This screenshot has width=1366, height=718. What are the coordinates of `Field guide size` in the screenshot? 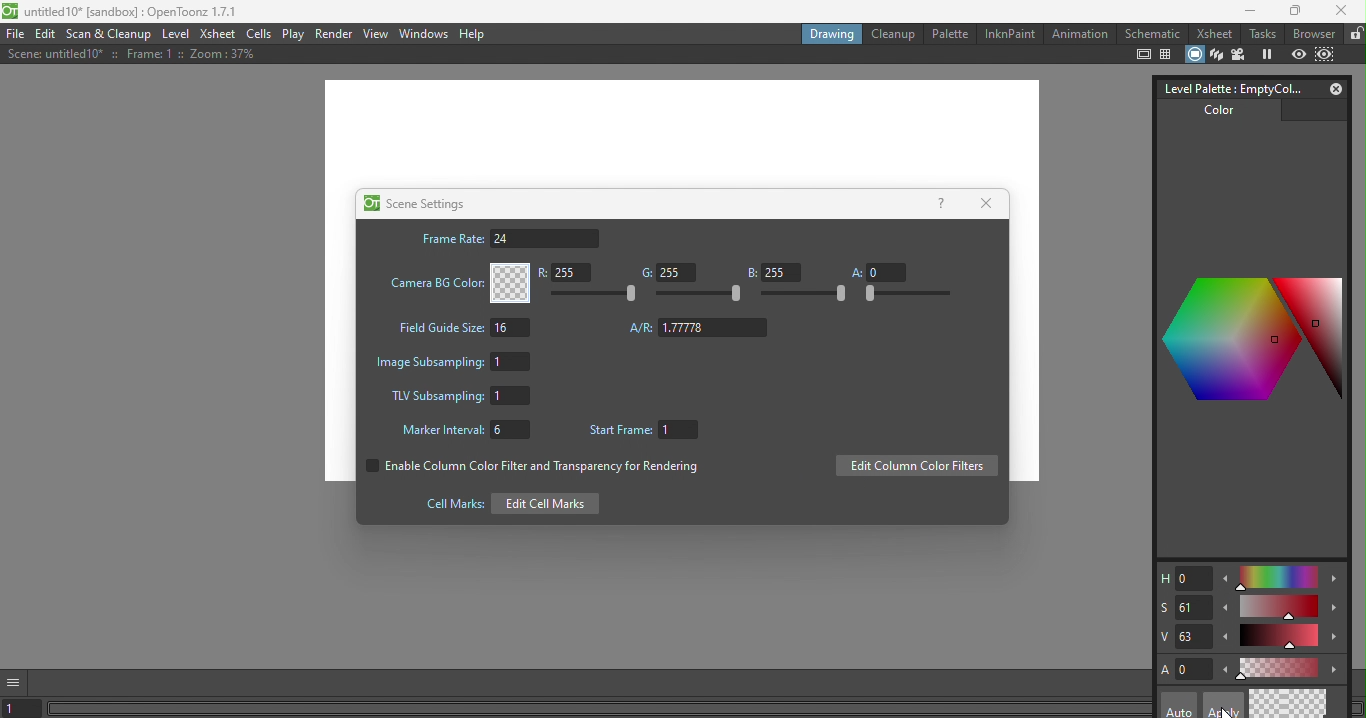 It's located at (461, 330).